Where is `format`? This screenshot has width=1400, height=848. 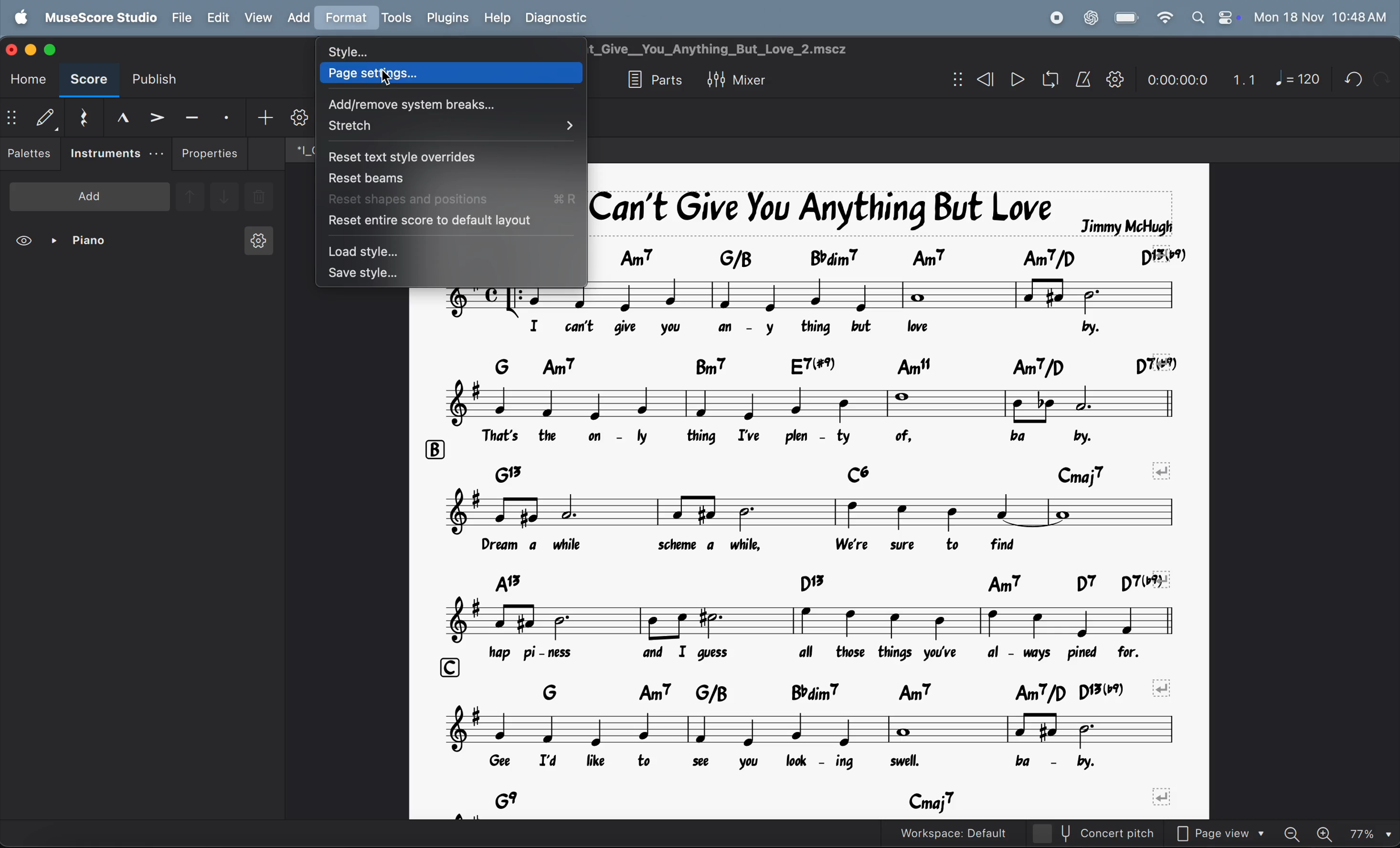
format is located at coordinates (345, 18).